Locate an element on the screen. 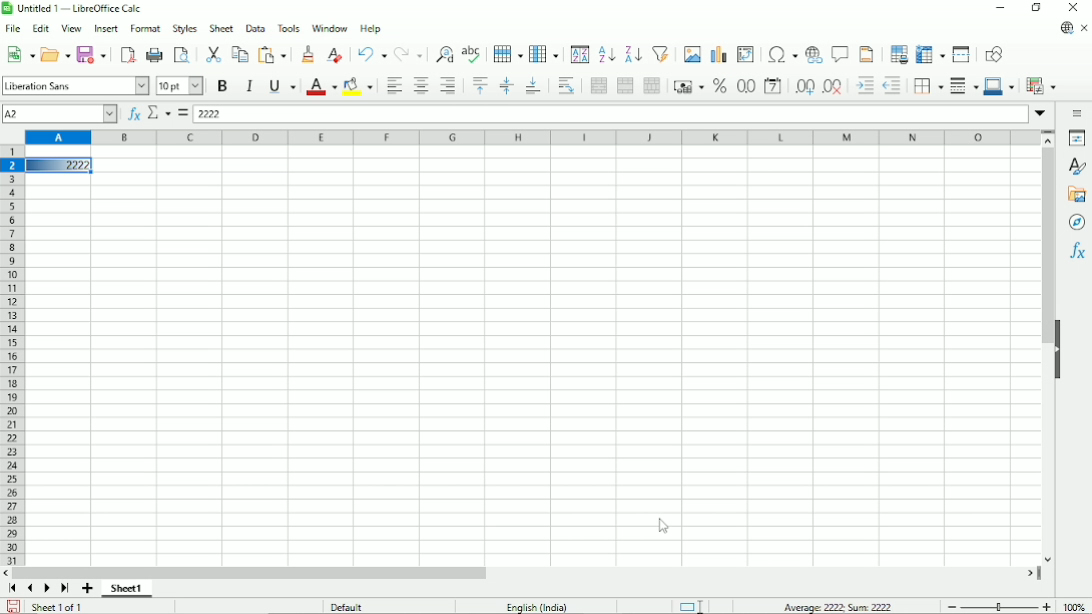 The width and height of the screenshot is (1092, 614). Column is located at coordinates (544, 53).